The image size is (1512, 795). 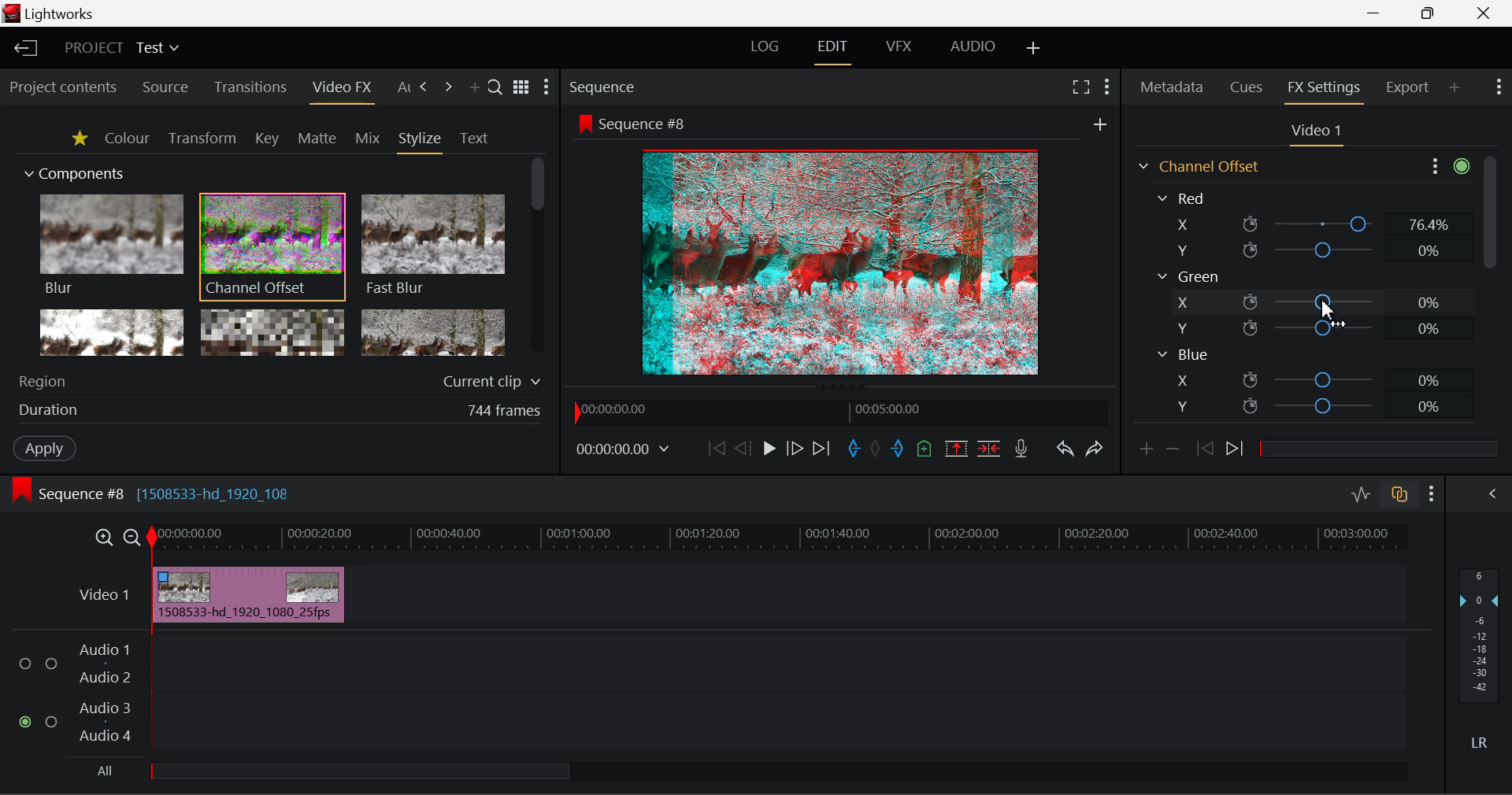 I want to click on Transform, so click(x=202, y=139).